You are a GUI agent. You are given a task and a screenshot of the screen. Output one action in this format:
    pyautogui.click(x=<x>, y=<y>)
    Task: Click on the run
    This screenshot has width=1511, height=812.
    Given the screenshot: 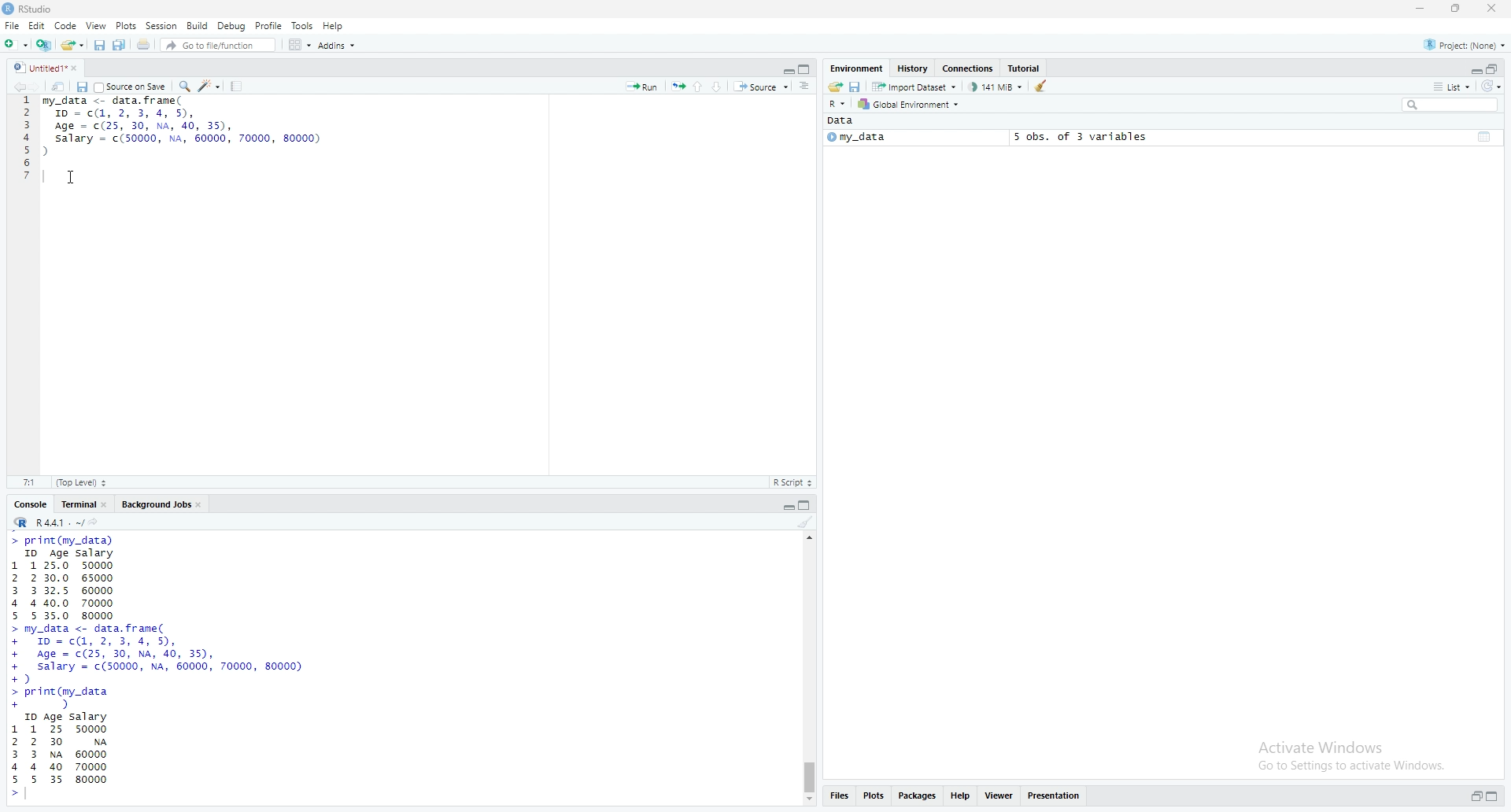 What is the action you would take?
    pyautogui.click(x=641, y=87)
    